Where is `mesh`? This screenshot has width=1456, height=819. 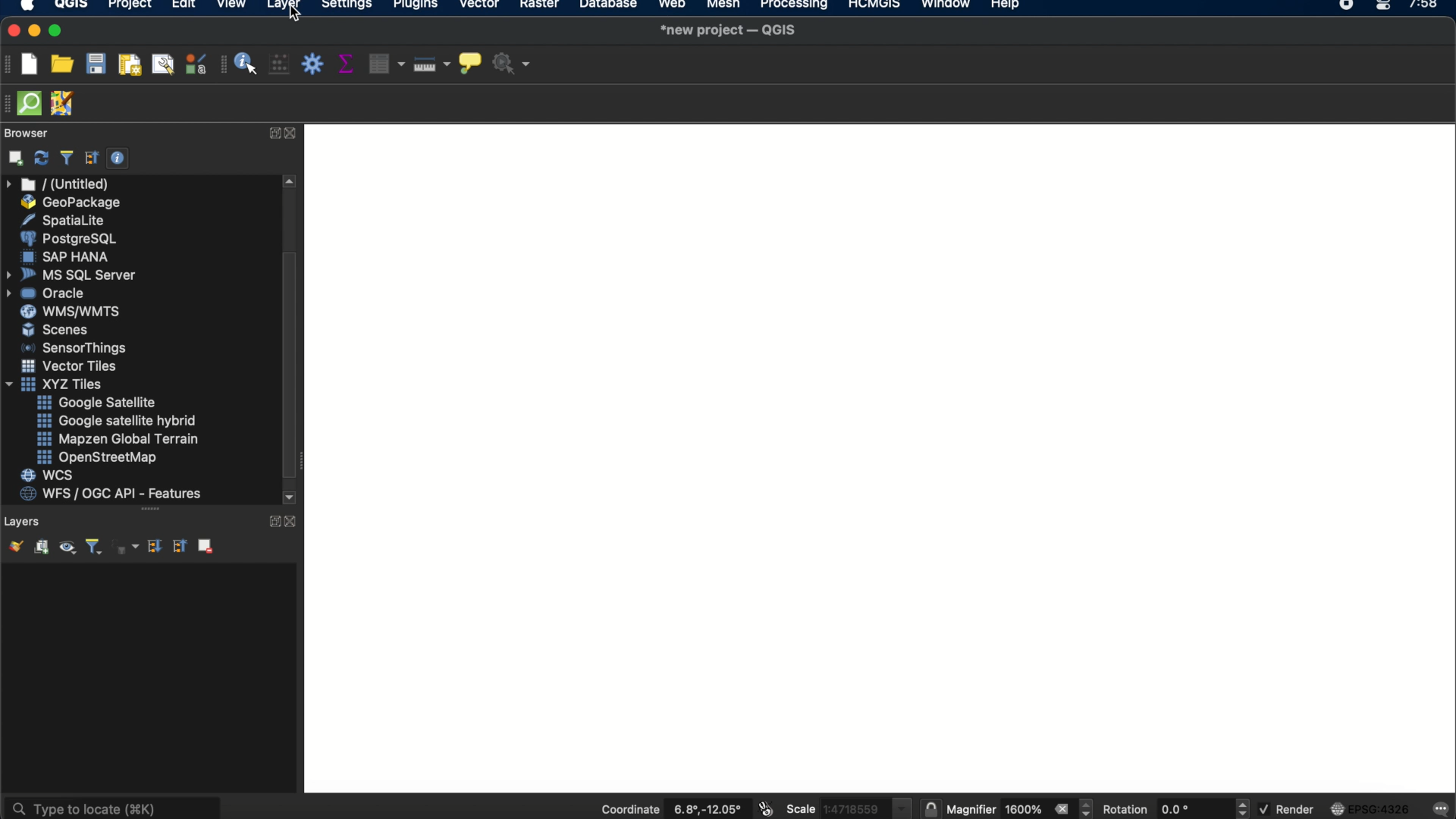
mesh is located at coordinates (723, 6).